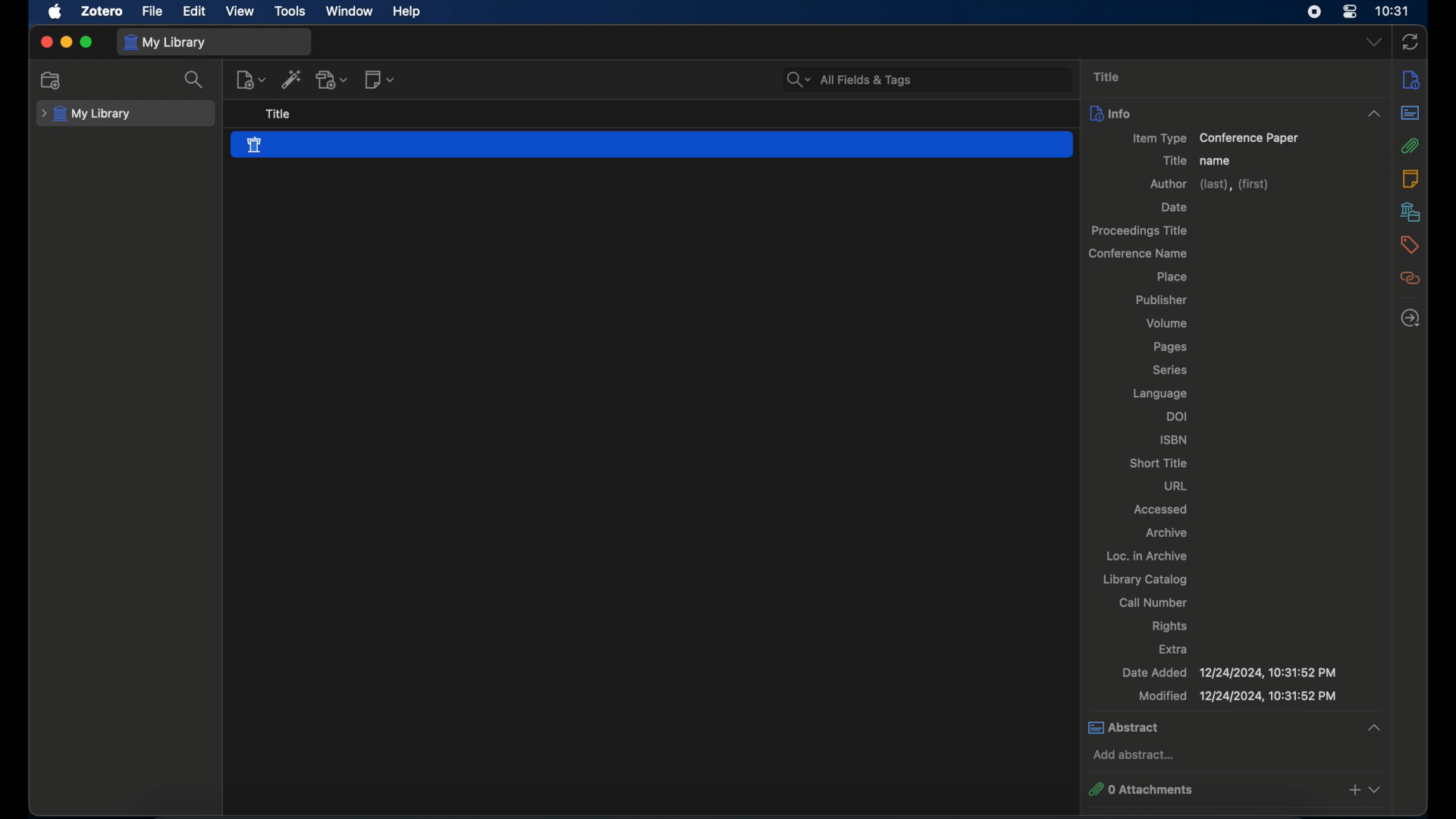  I want to click on search, so click(194, 80).